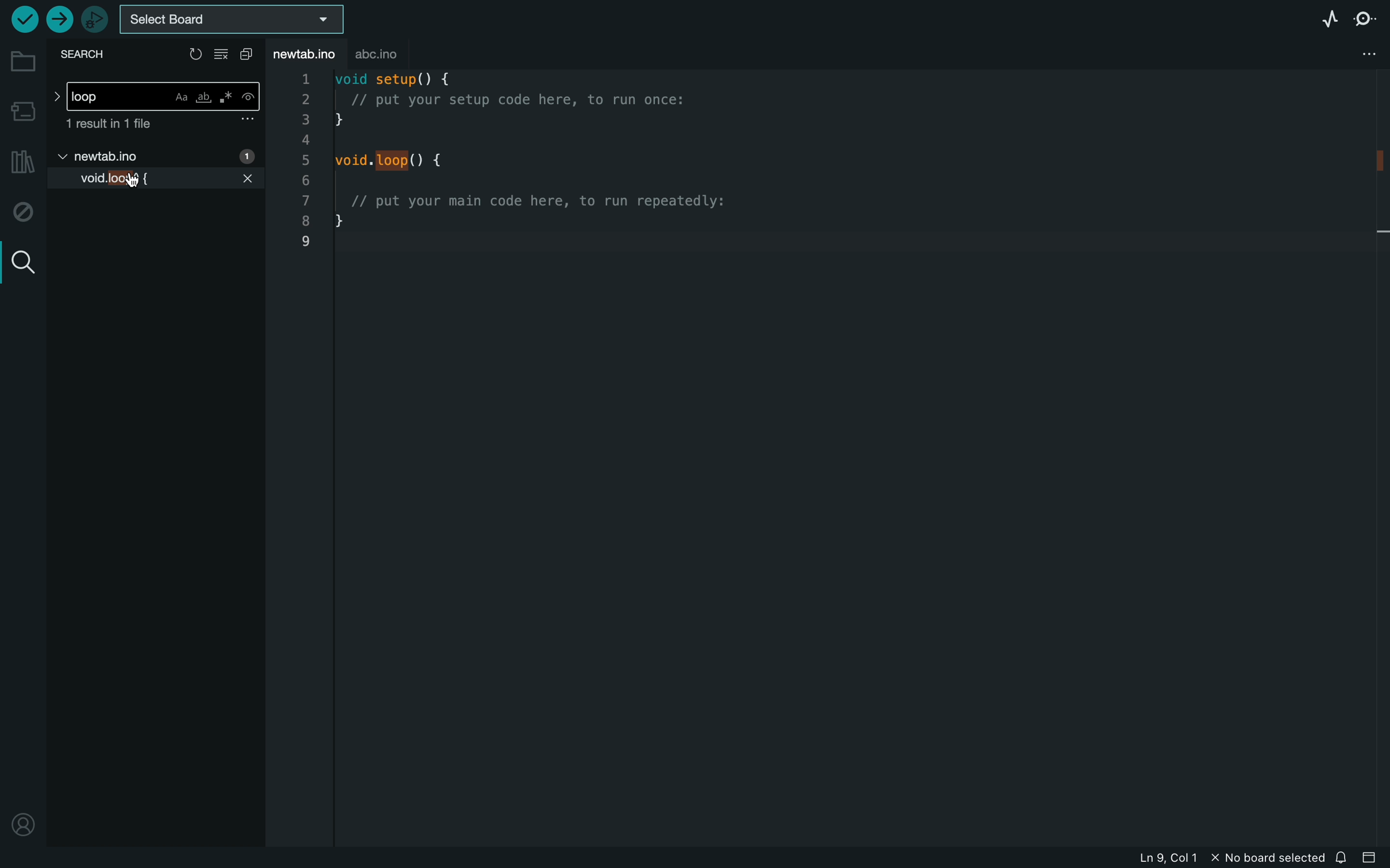  What do you see at coordinates (59, 20) in the screenshot?
I see `upload` at bounding box center [59, 20].